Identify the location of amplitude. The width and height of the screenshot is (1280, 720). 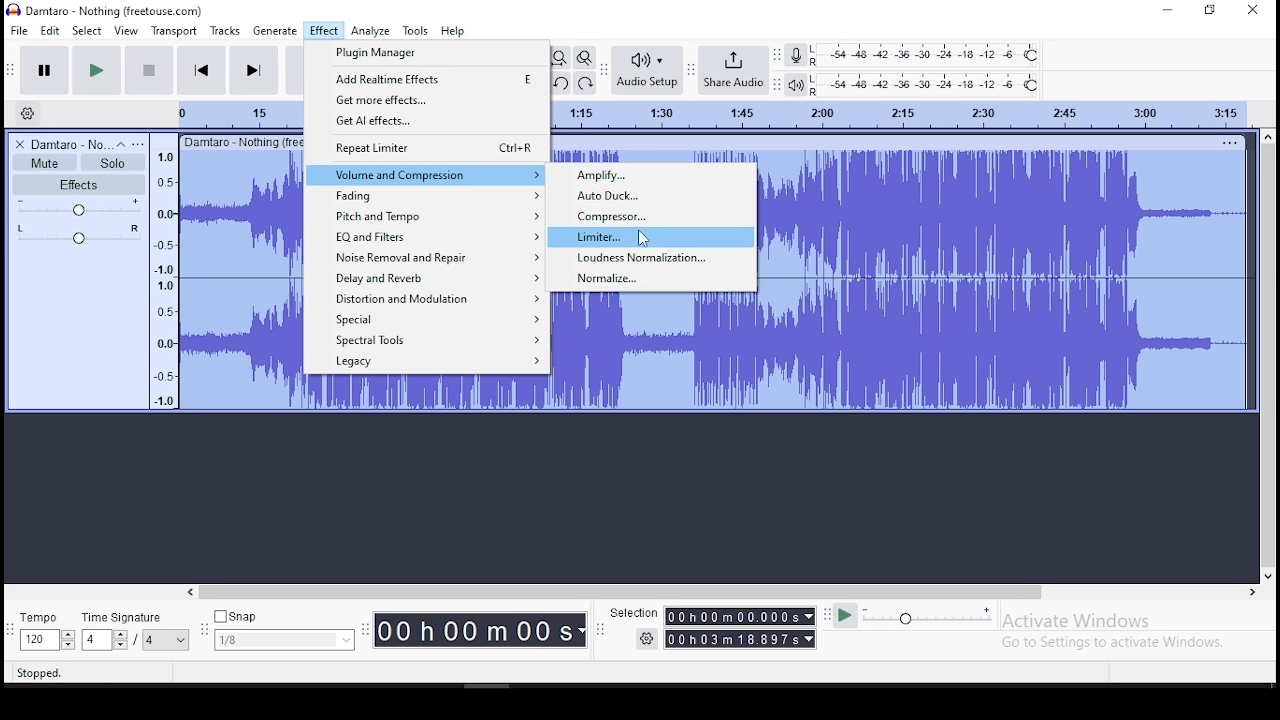
(166, 271).